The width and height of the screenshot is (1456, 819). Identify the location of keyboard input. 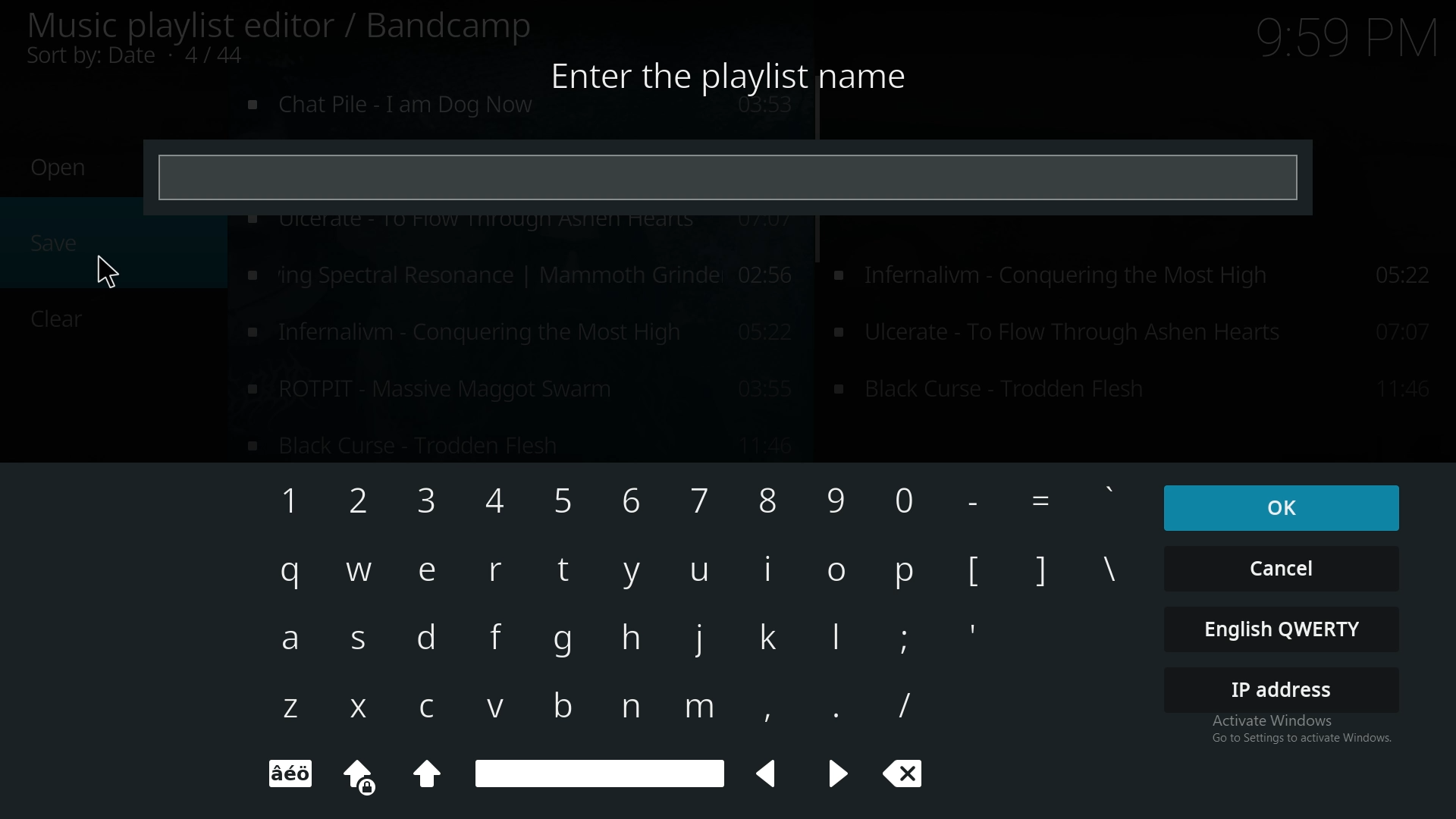
(698, 713).